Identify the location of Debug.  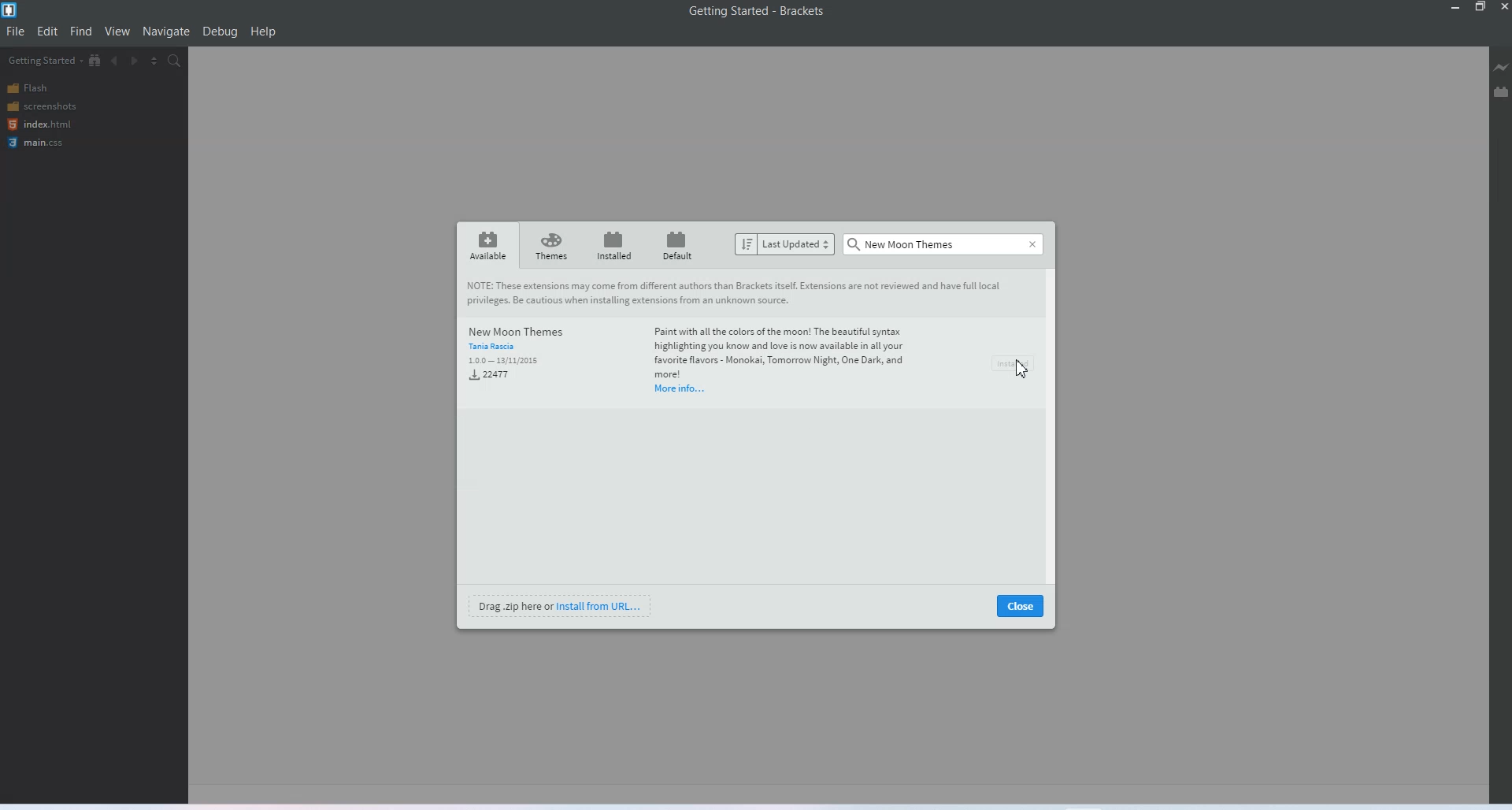
(220, 32).